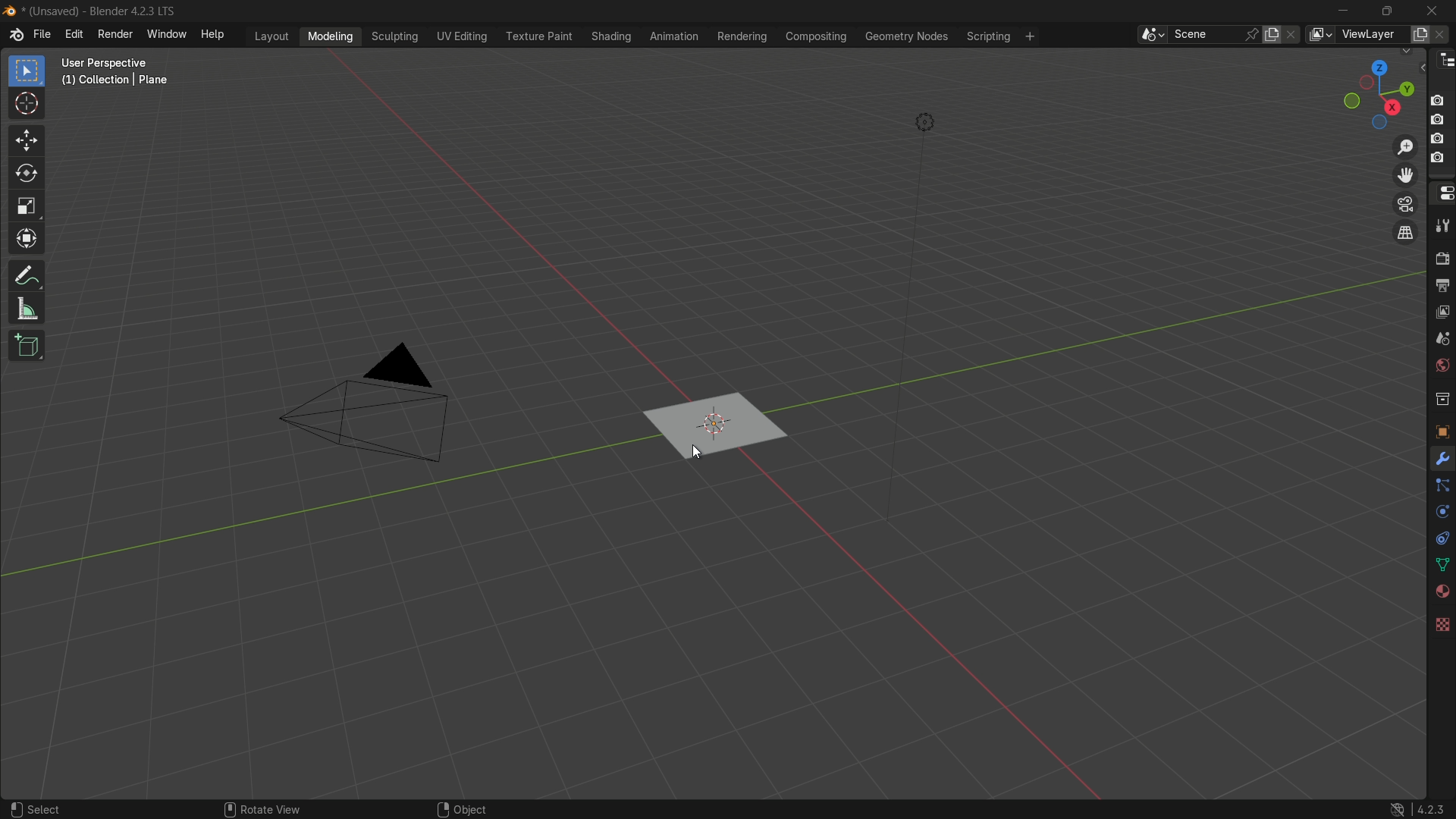 Image resolution: width=1456 pixels, height=819 pixels. Describe the element at coordinates (1441, 257) in the screenshot. I see `render` at that location.